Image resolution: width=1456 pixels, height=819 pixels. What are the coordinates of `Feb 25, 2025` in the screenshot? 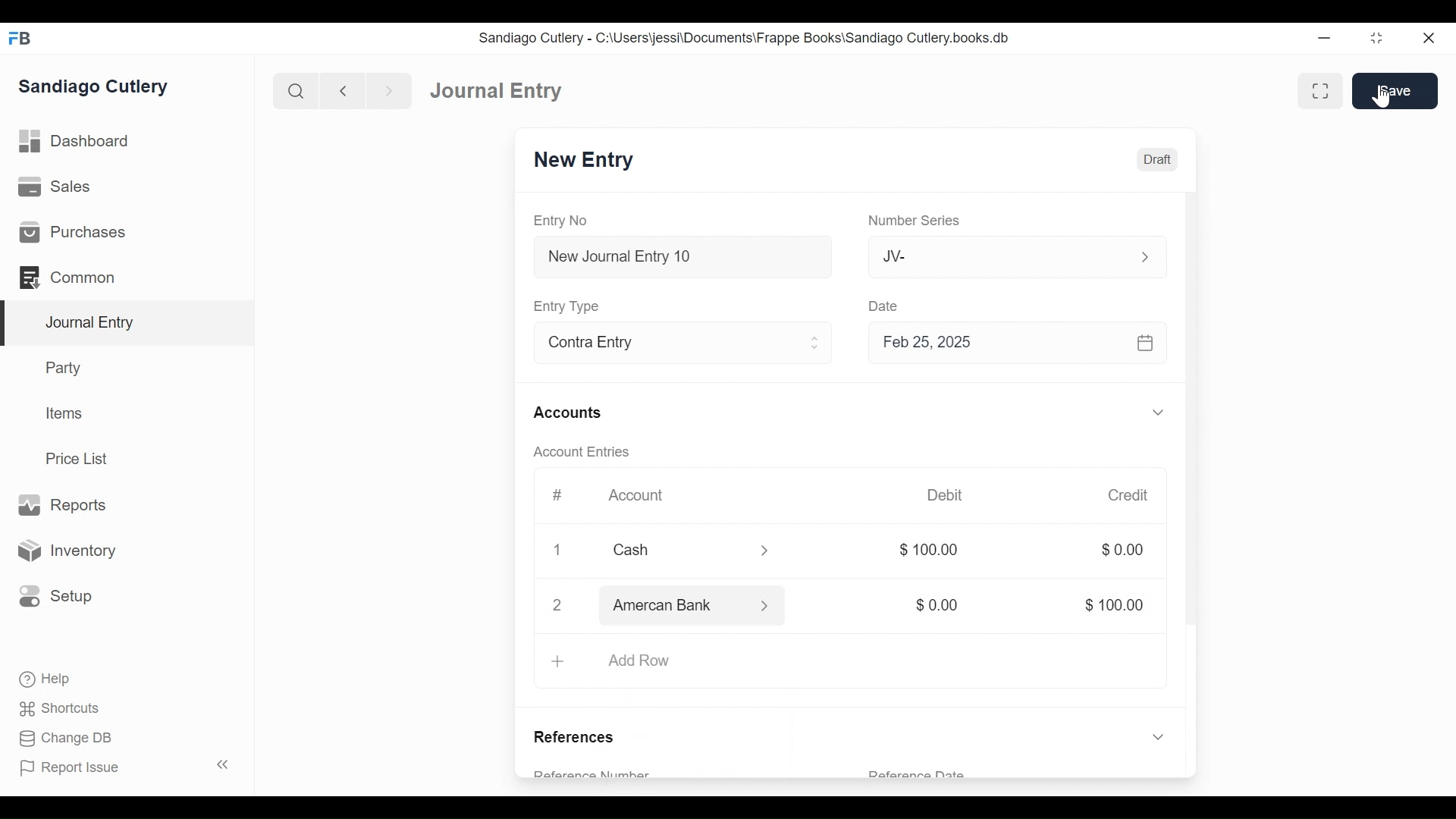 It's located at (1019, 346).